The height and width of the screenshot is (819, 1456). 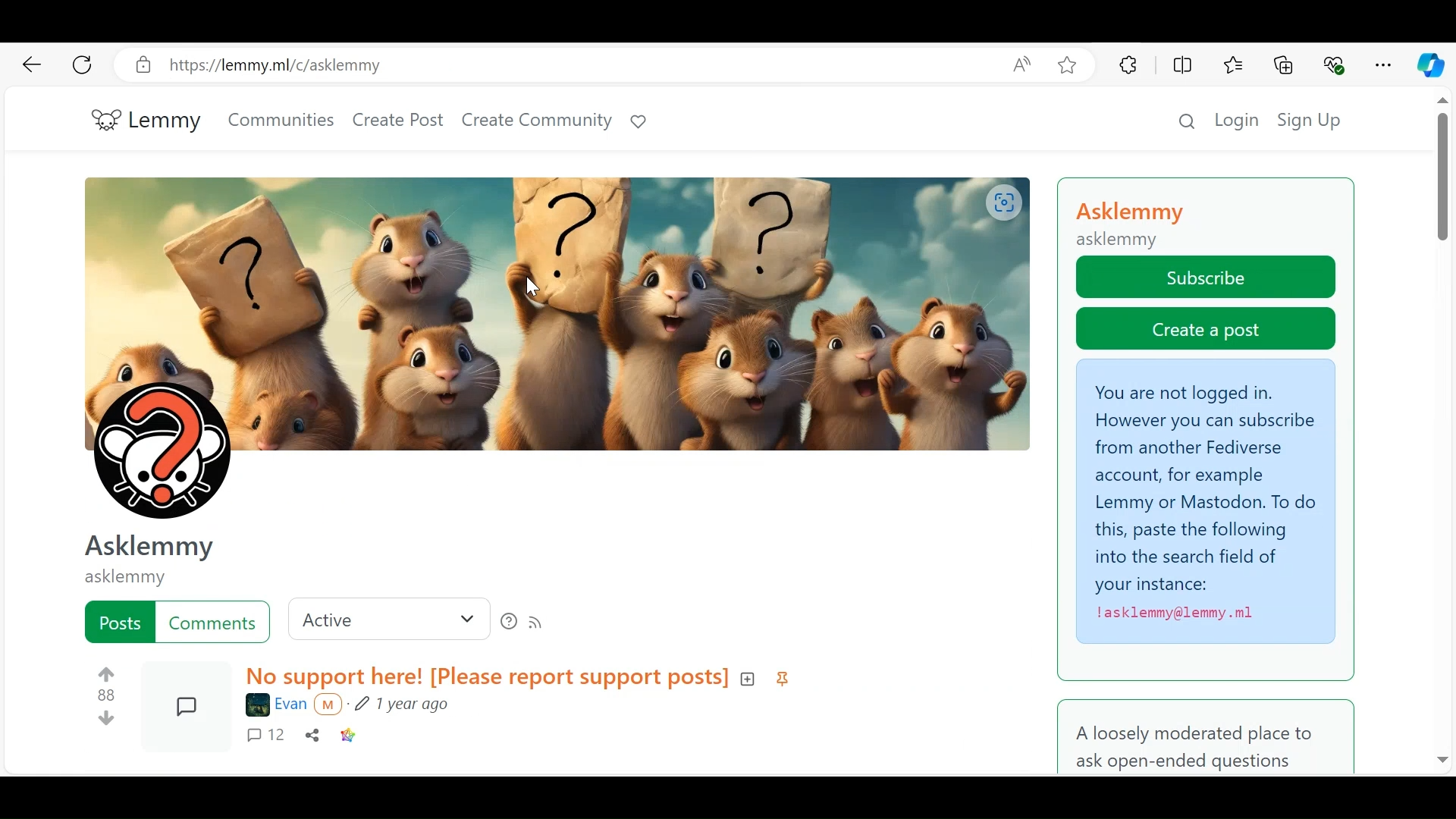 I want to click on Split screen, so click(x=1181, y=67).